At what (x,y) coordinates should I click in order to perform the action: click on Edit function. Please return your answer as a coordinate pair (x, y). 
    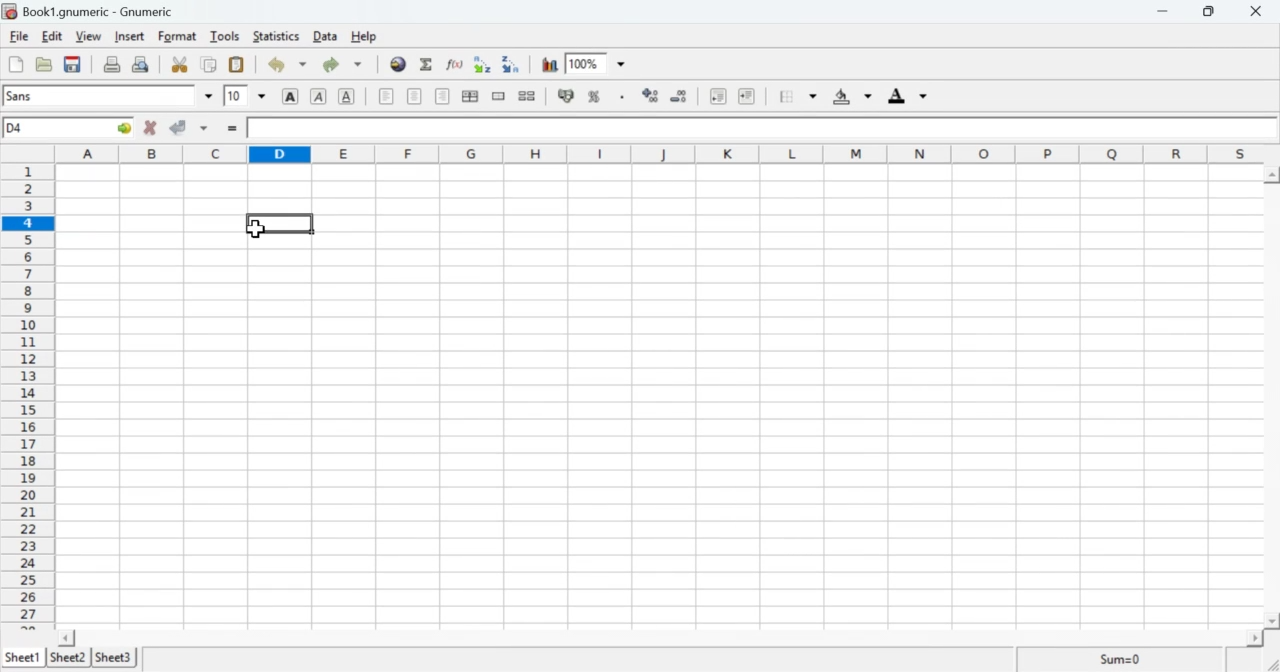
    Looking at the image, I should click on (455, 64).